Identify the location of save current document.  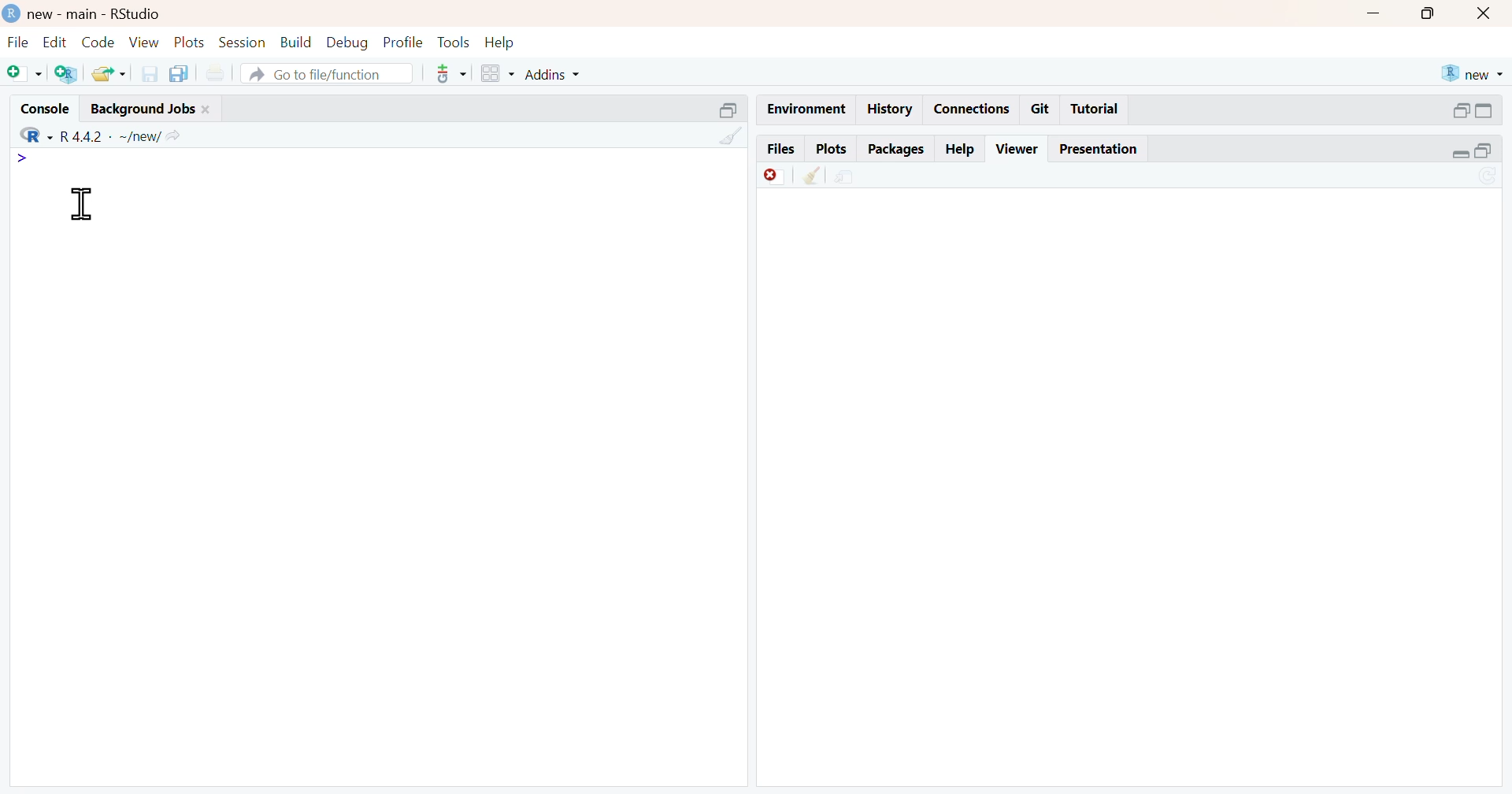
(152, 75).